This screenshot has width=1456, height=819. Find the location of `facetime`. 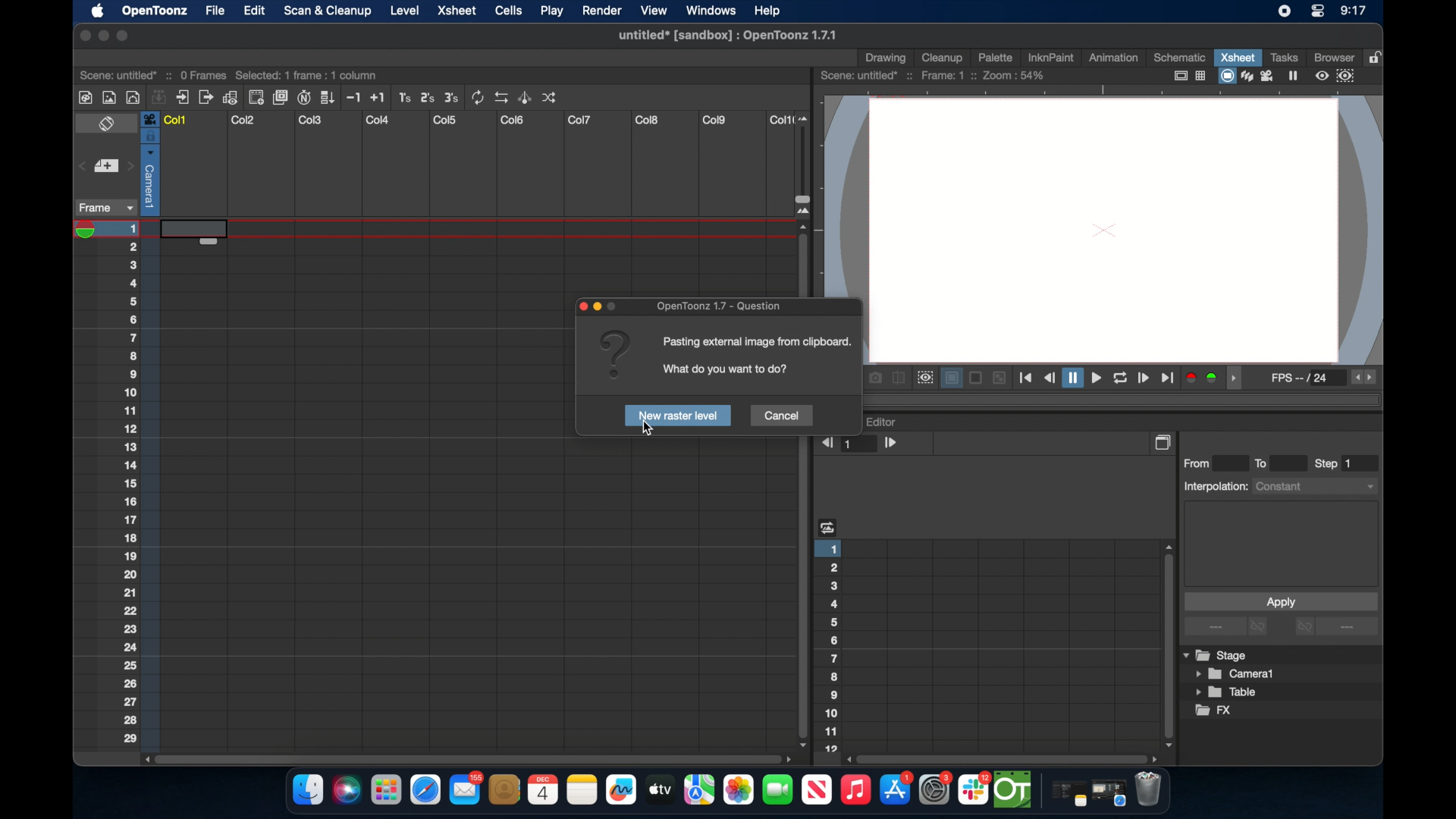

facetime is located at coordinates (778, 788).